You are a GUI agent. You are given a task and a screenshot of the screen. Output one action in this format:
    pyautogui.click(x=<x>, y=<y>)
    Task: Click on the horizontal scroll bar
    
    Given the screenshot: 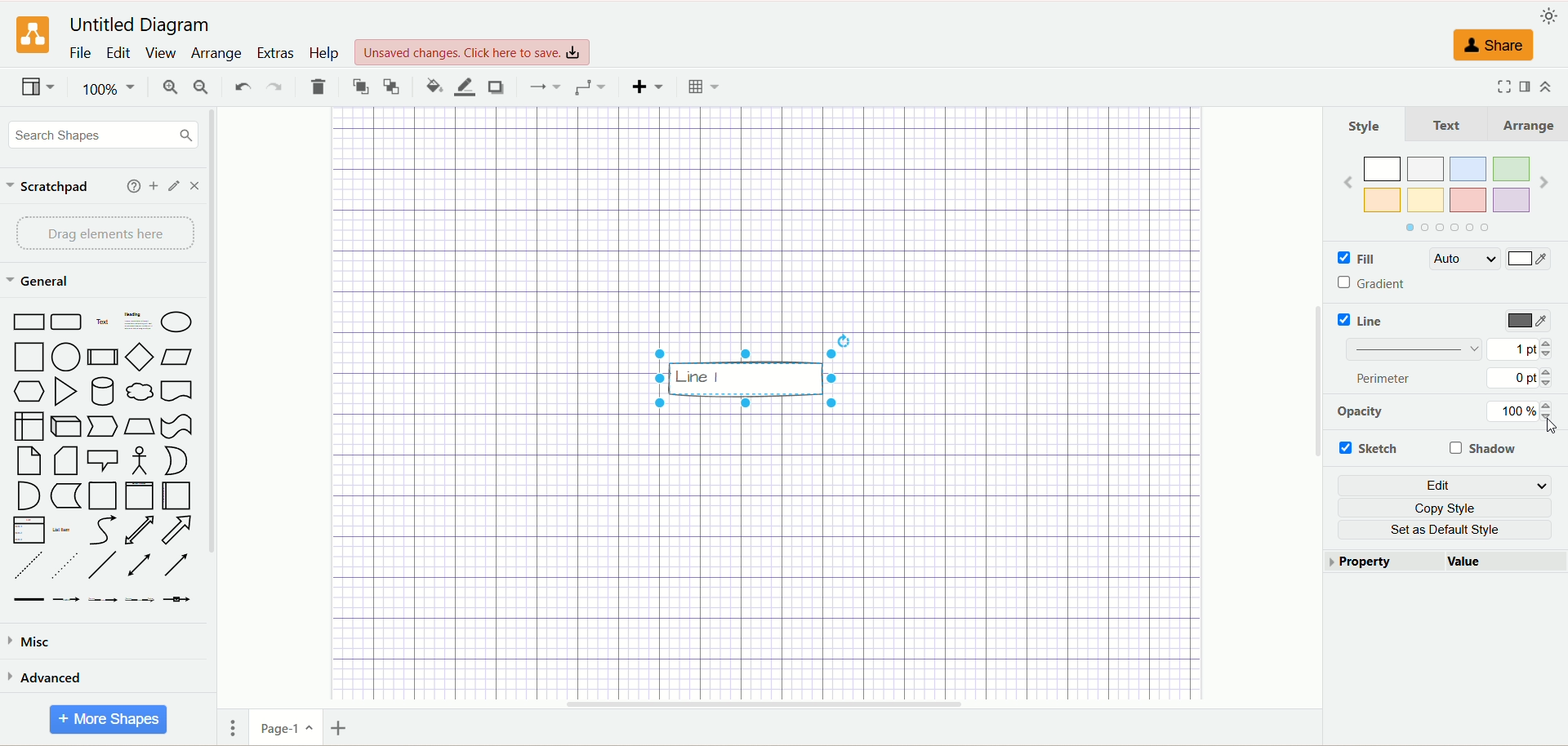 What is the action you would take?
    pyautogui.click(x=763, y=705)
    